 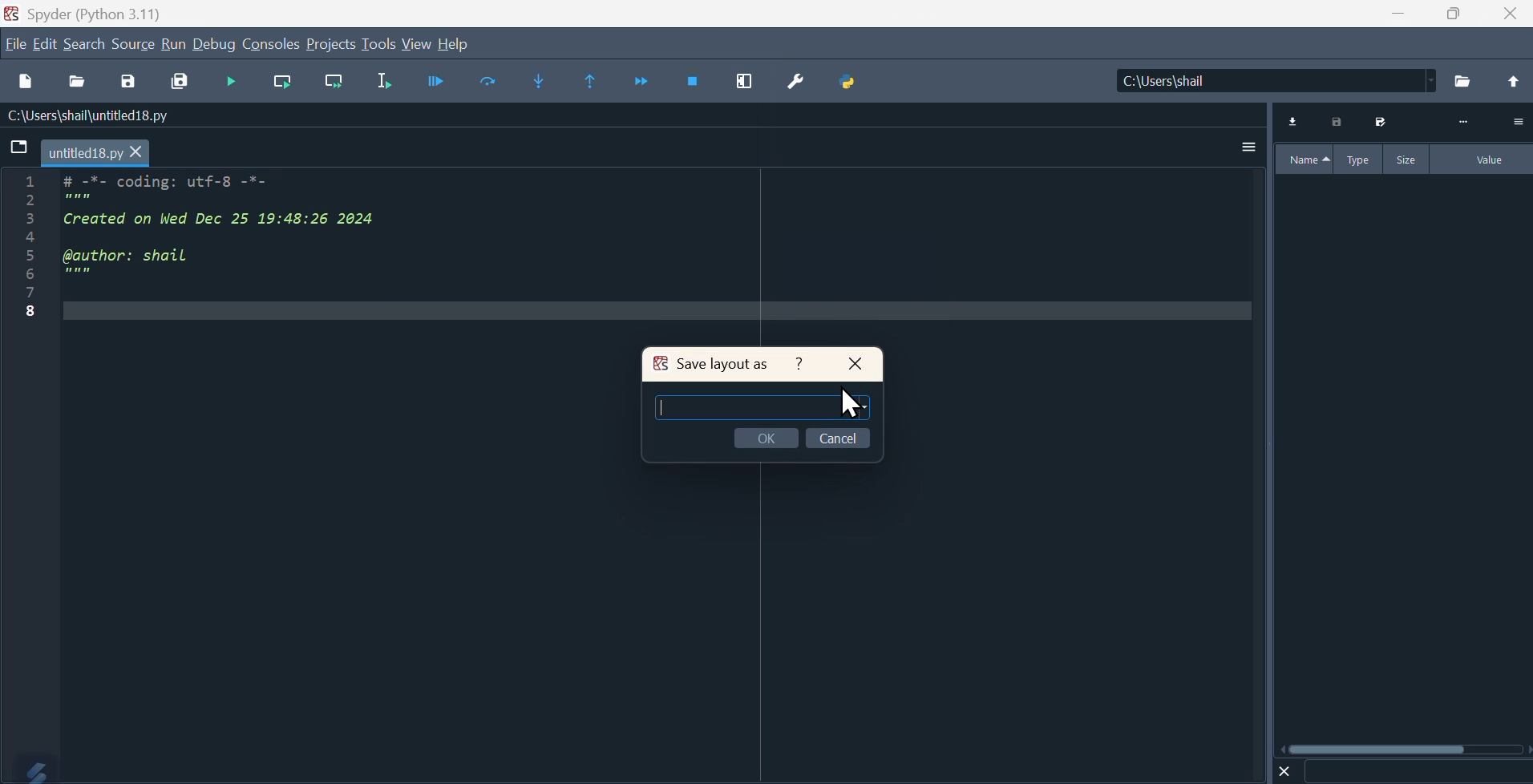 I want to click on Folder, so click(x=1464, y=82).